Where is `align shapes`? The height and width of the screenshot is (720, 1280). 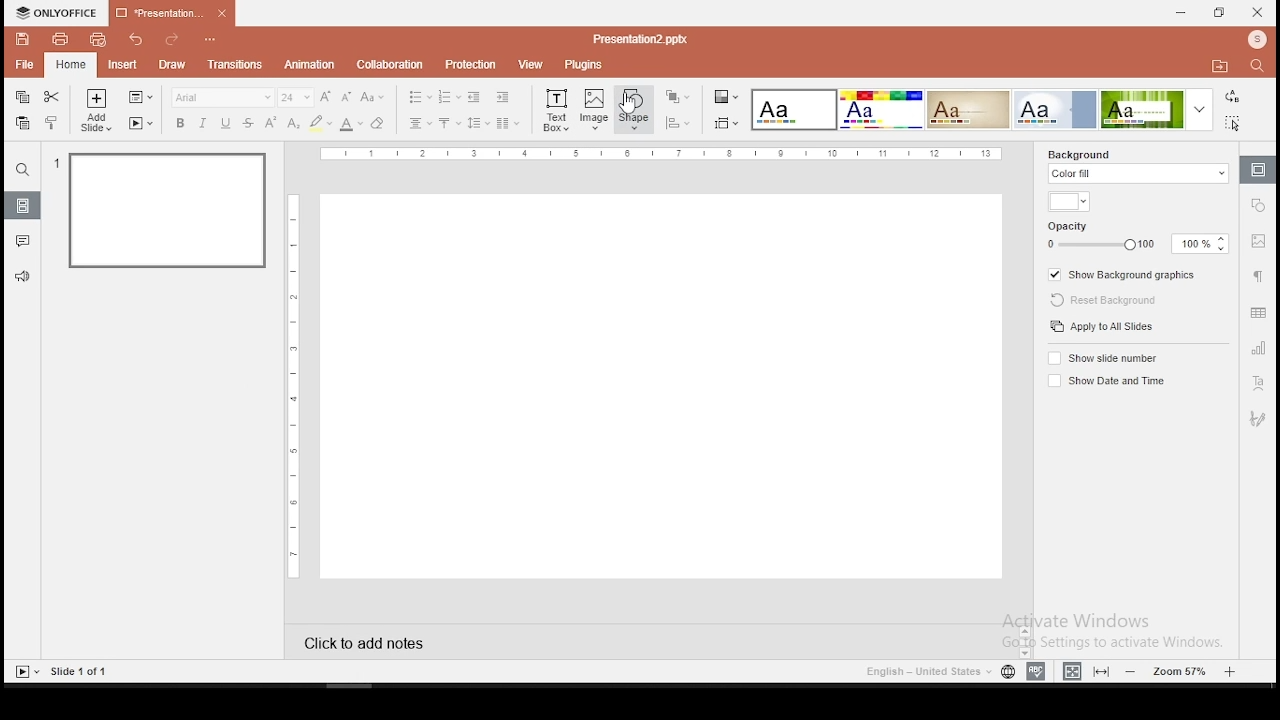 align shapes is located at coordinates (677, 123).